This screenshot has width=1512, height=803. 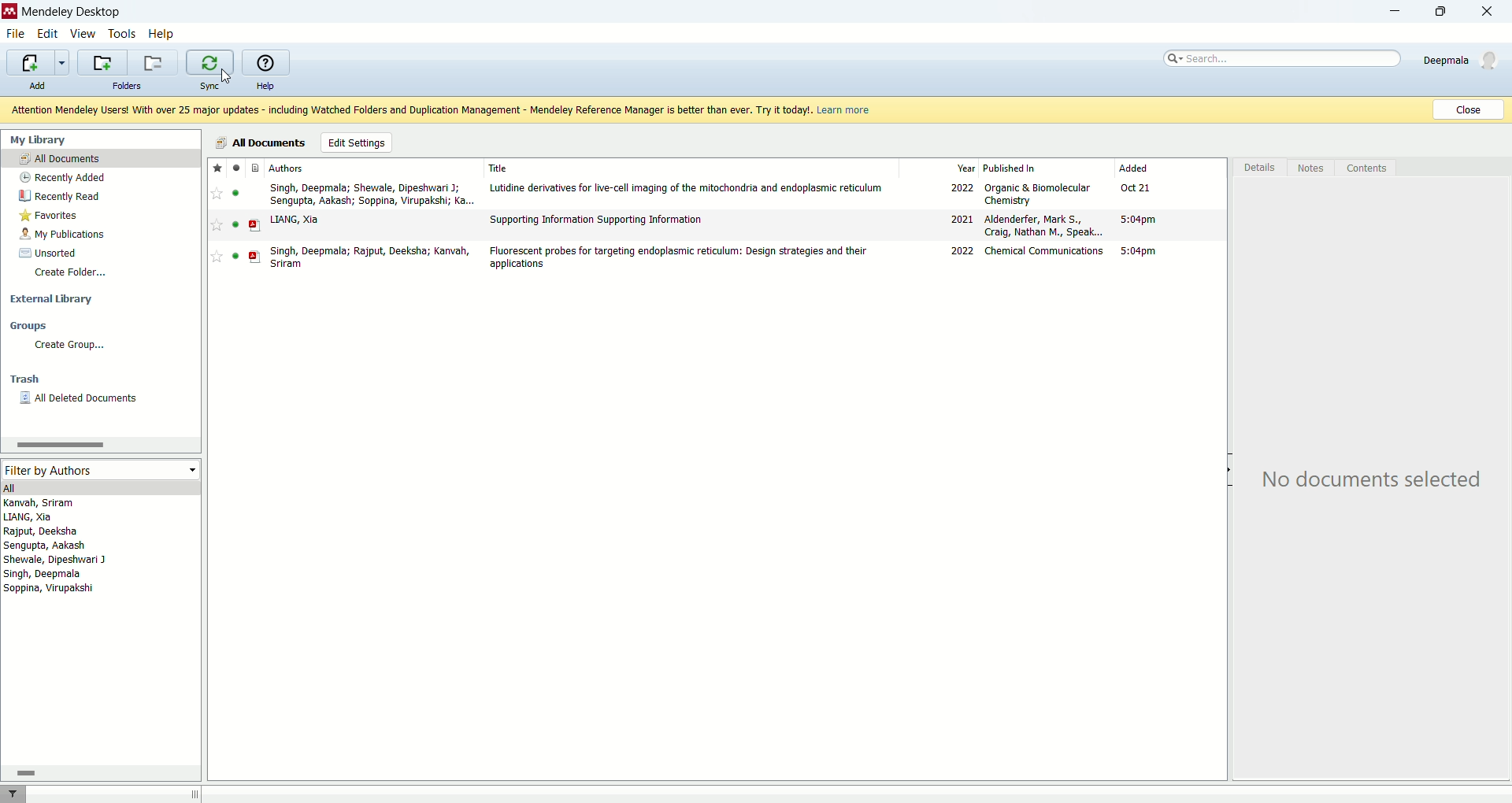 What do you see at coordinates (962, 193) in the screenshot?
I see `2022` at bounding box center [962, 193].